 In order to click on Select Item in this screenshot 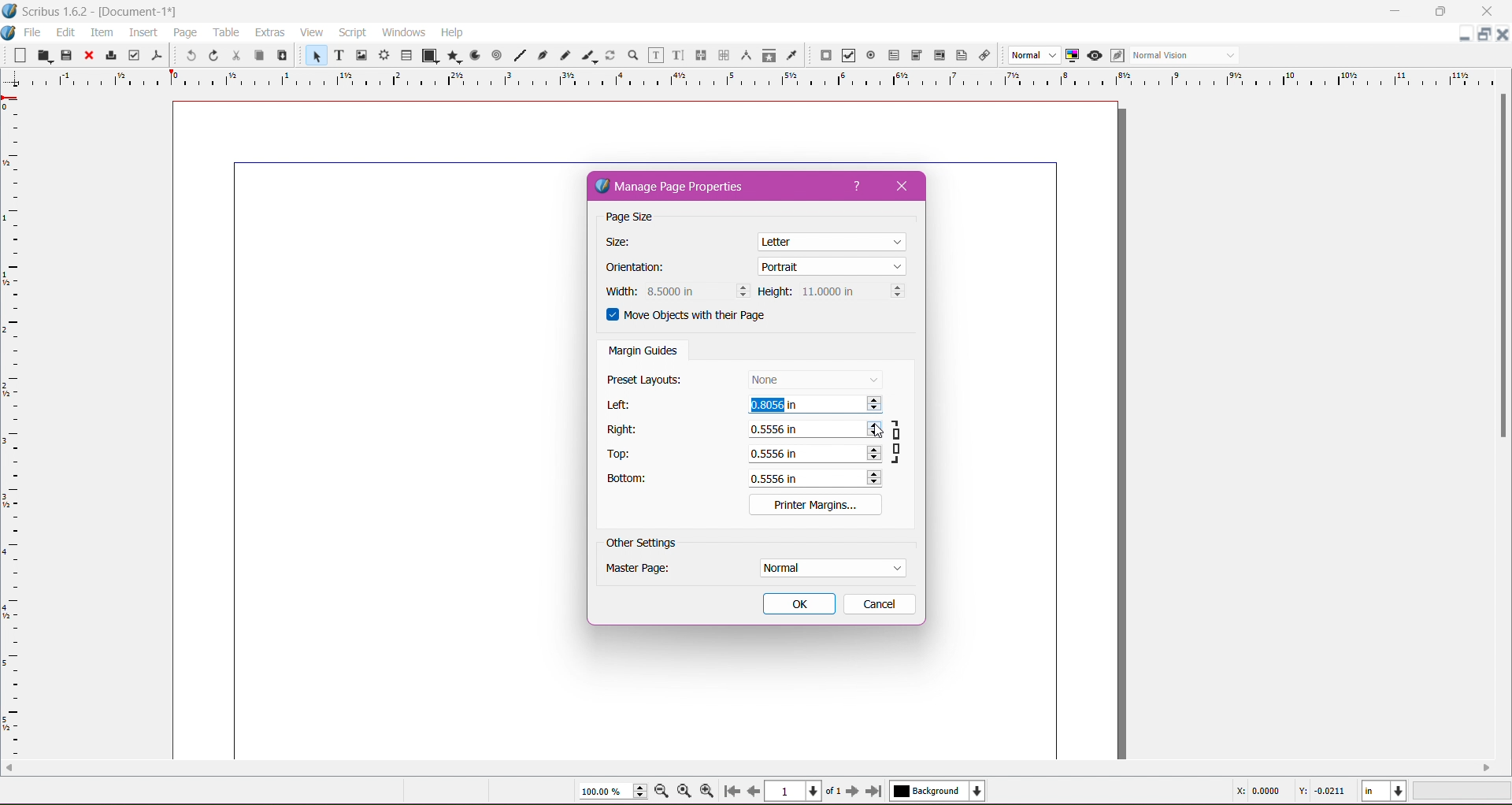, I will do `click(313, 56)`.